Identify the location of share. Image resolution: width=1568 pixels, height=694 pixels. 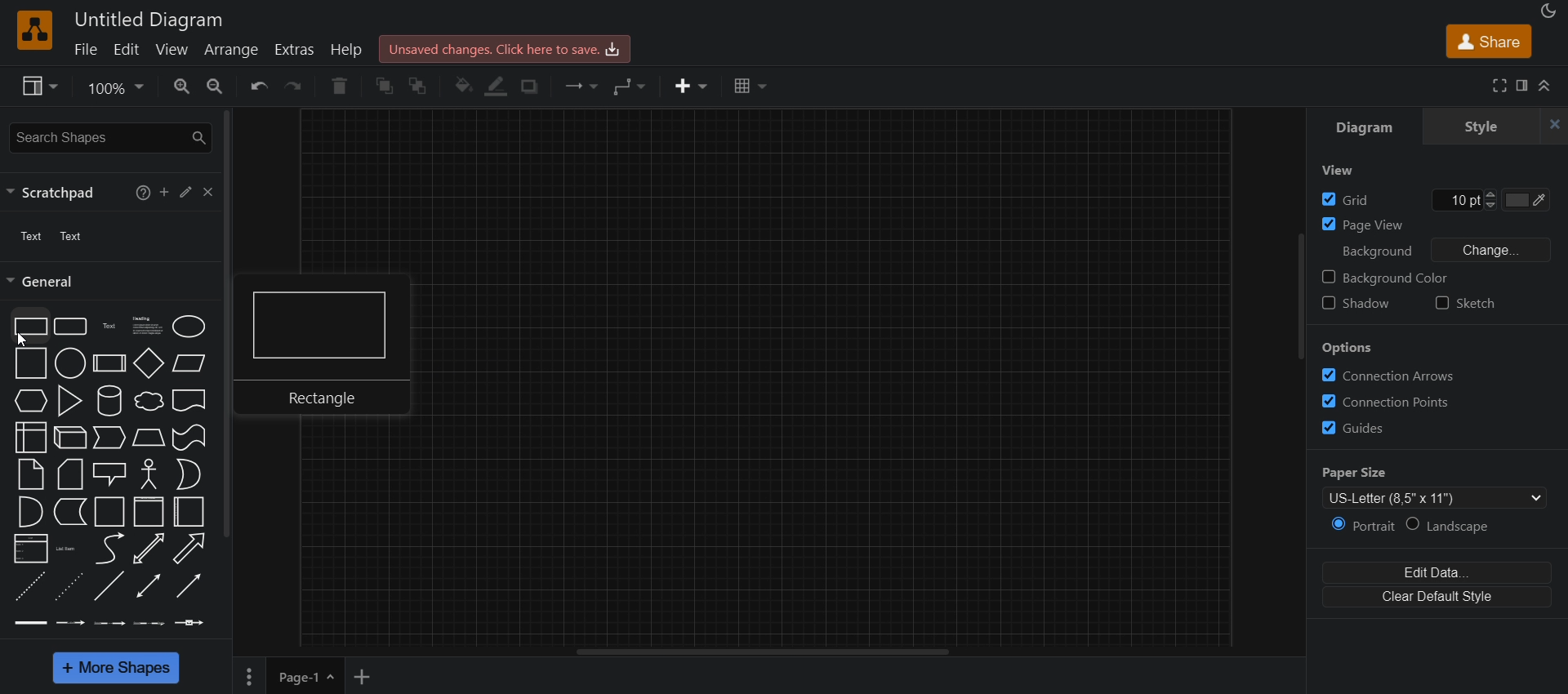
(1487, 39).